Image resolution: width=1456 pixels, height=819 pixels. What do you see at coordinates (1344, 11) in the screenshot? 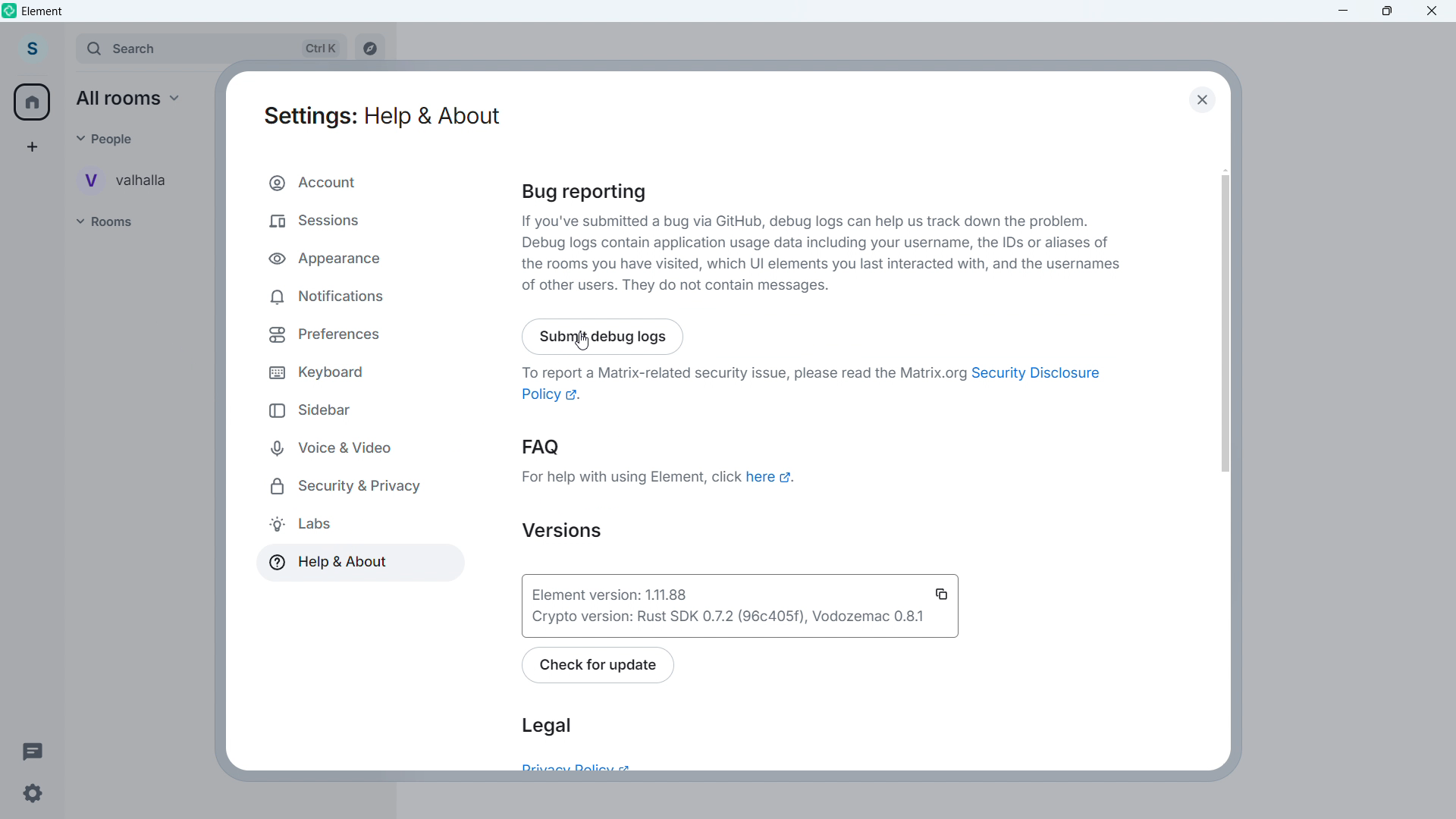
I see `minimise ` at bounding box center [1344, 11].